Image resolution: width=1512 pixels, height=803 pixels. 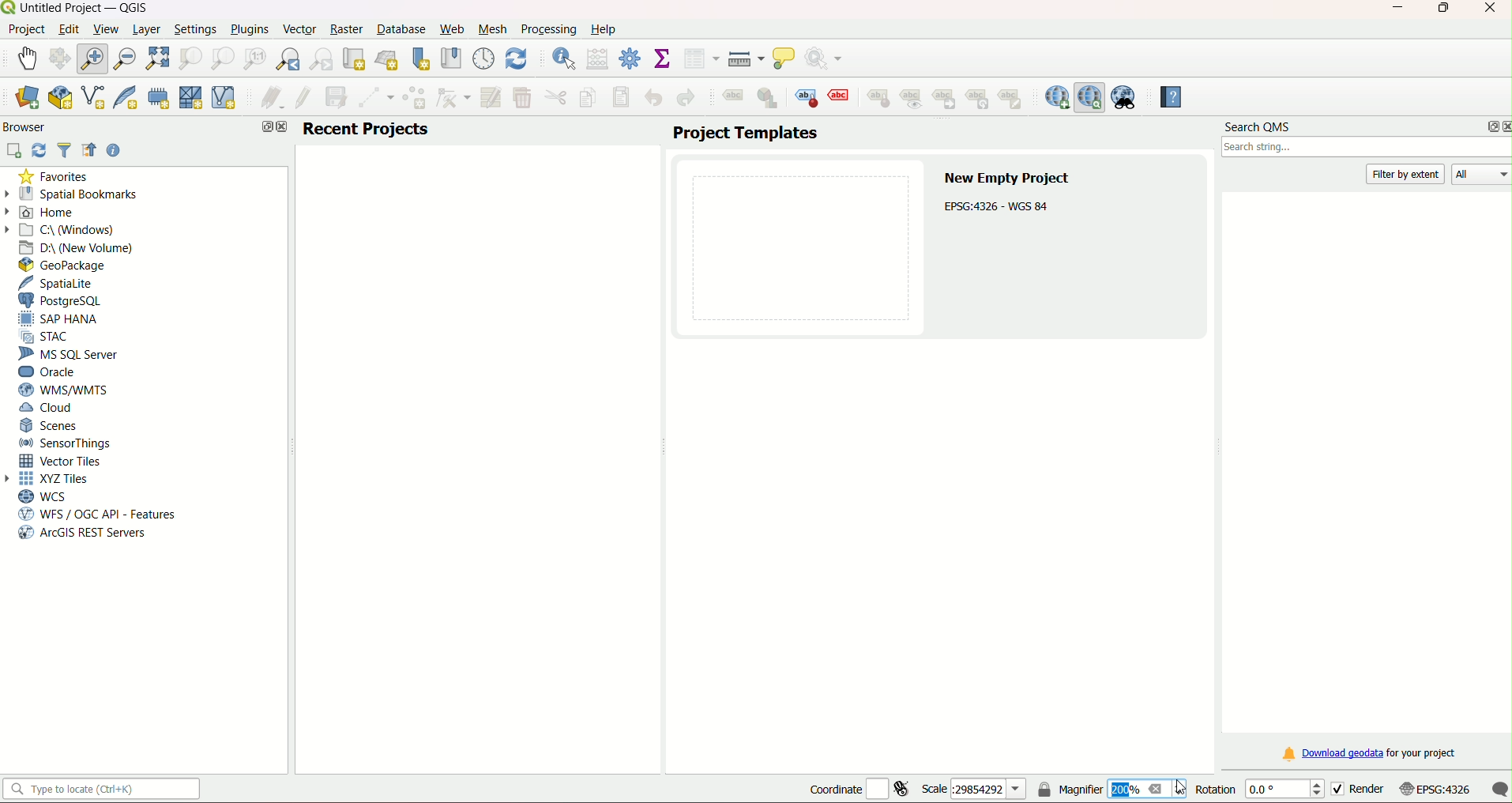 What do you see at coordinates (81, 534) in the screenshot?
I see `AroGIS REST Servers` at bounding box center [81, 534].